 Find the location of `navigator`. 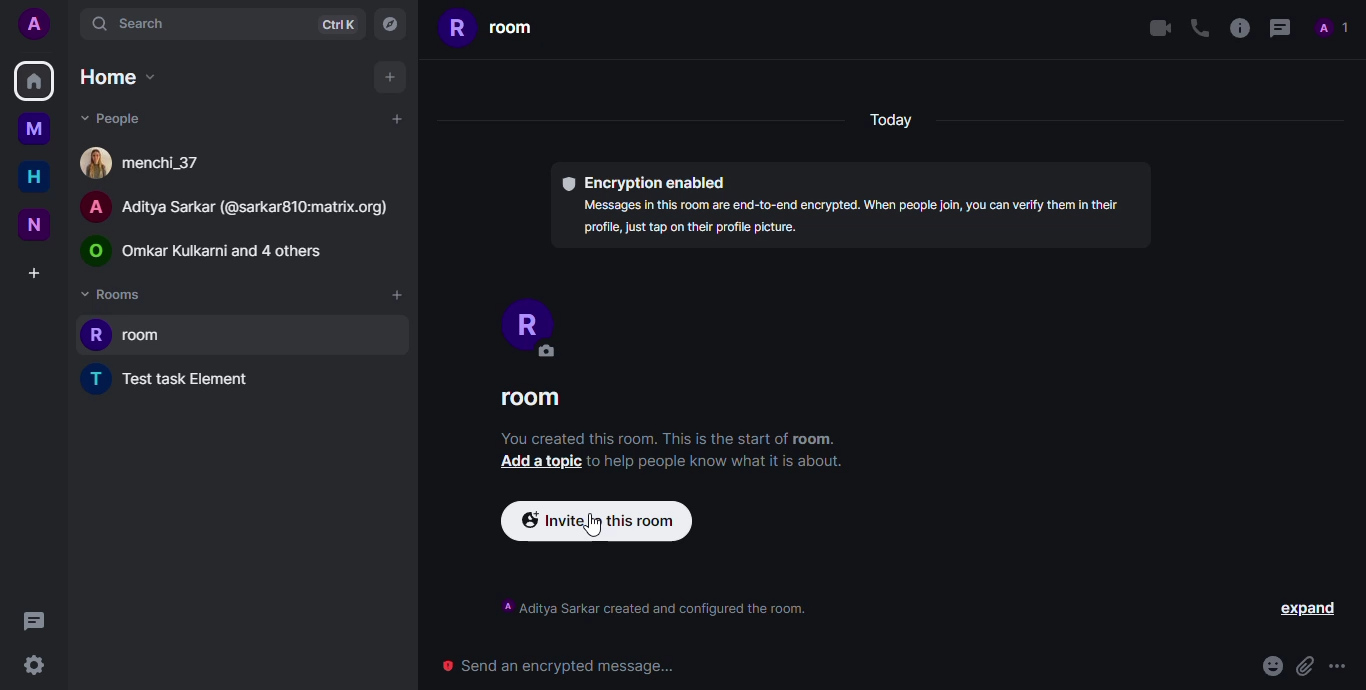

navigator is located at coordinates (389, 24).